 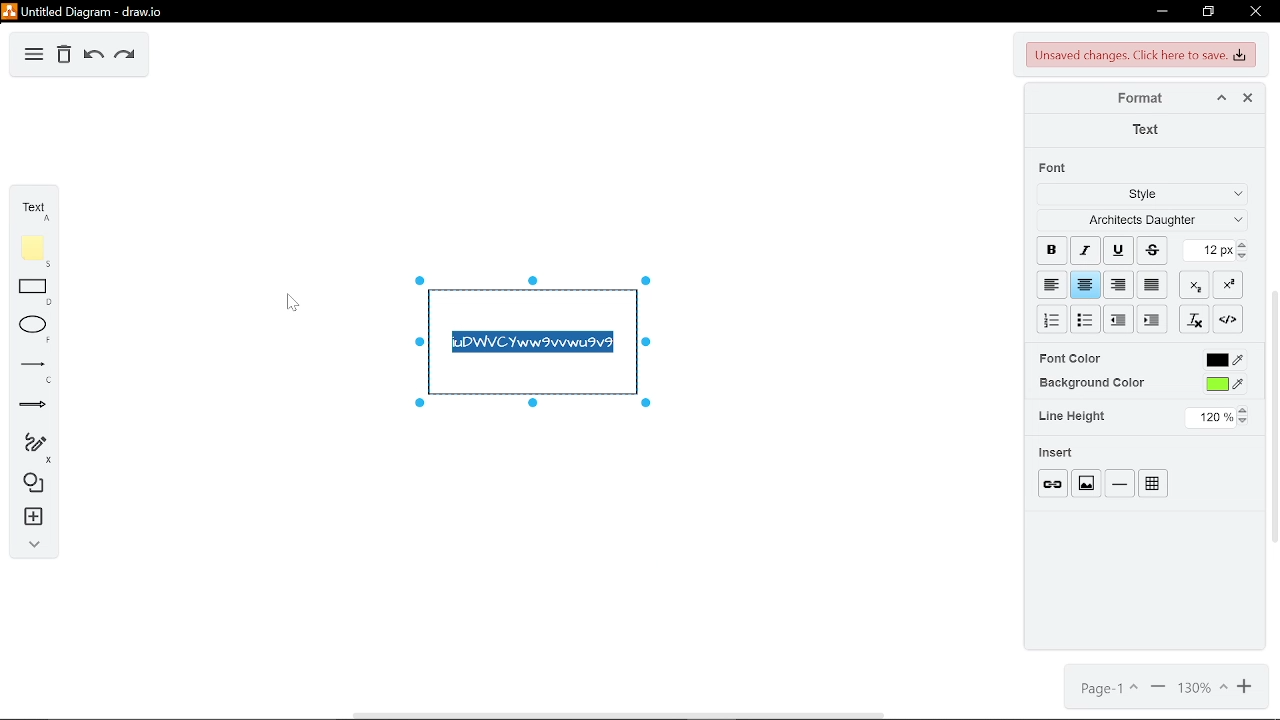 I want to click on diagram, so click(x=34, y=56).